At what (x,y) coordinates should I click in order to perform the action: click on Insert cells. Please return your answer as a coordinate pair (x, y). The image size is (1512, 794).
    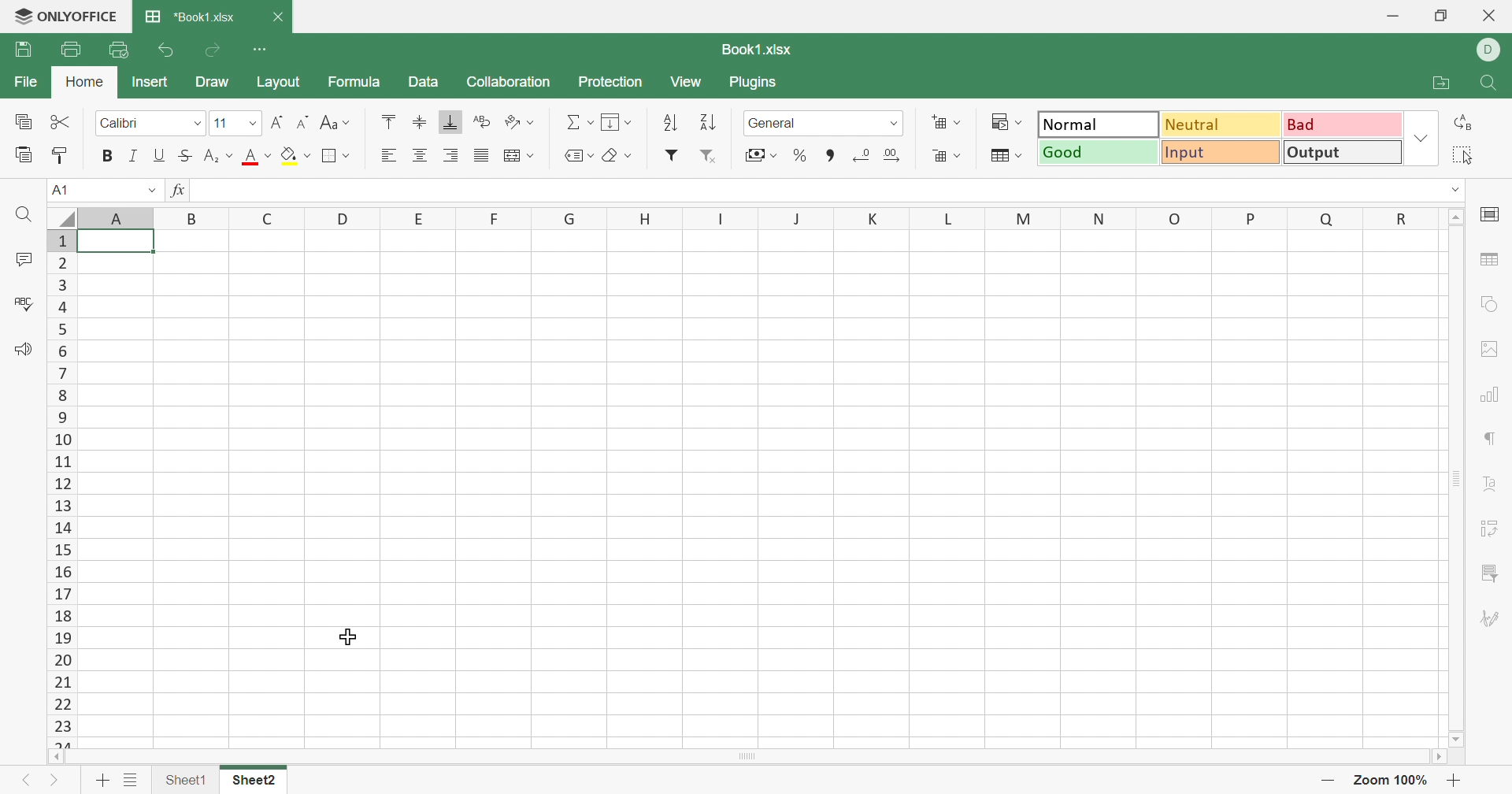
    Looking at the image, I should click on (944, 123).